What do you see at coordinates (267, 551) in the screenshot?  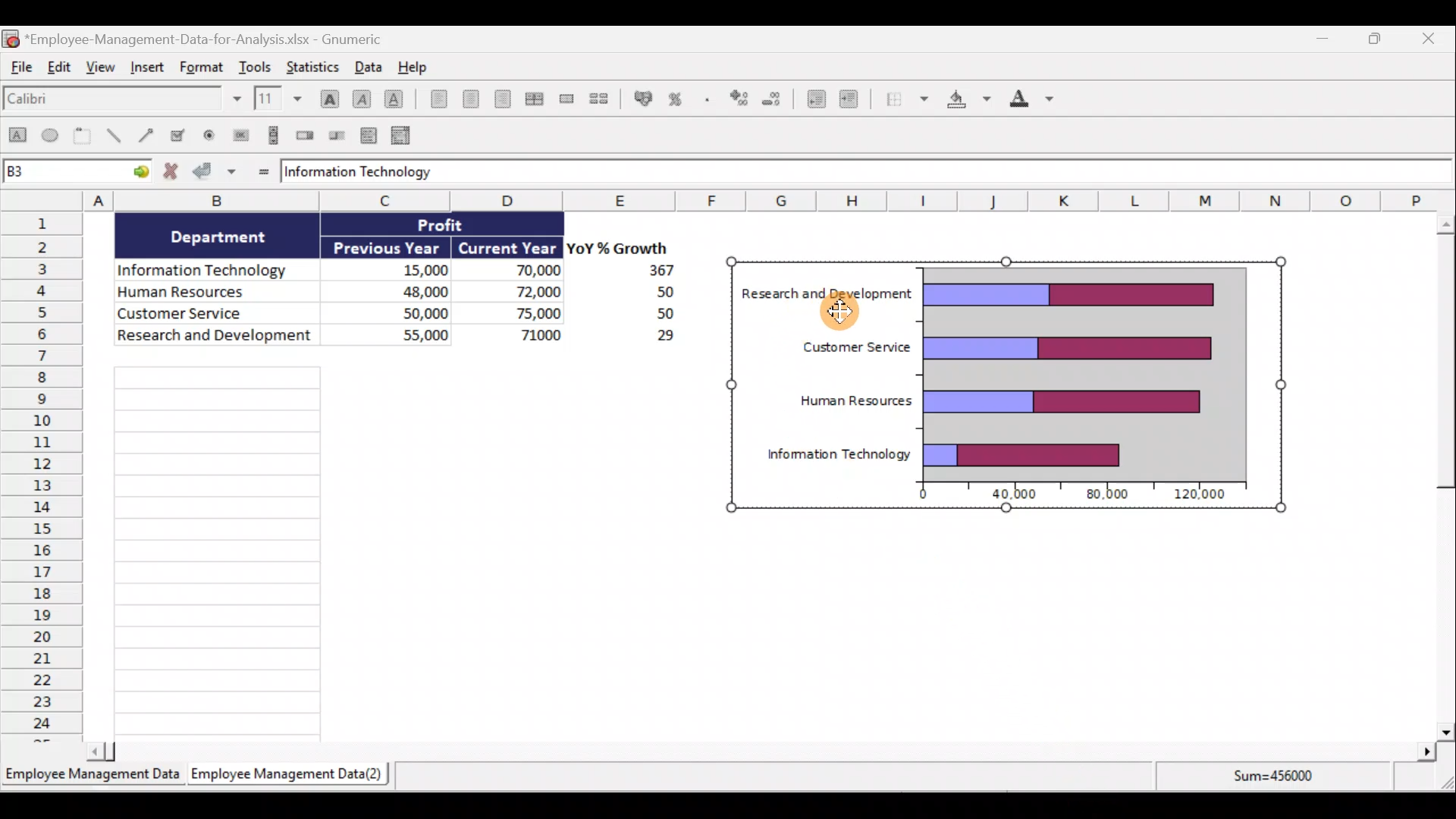 I see `Cells` at bounding box center [267, 551].